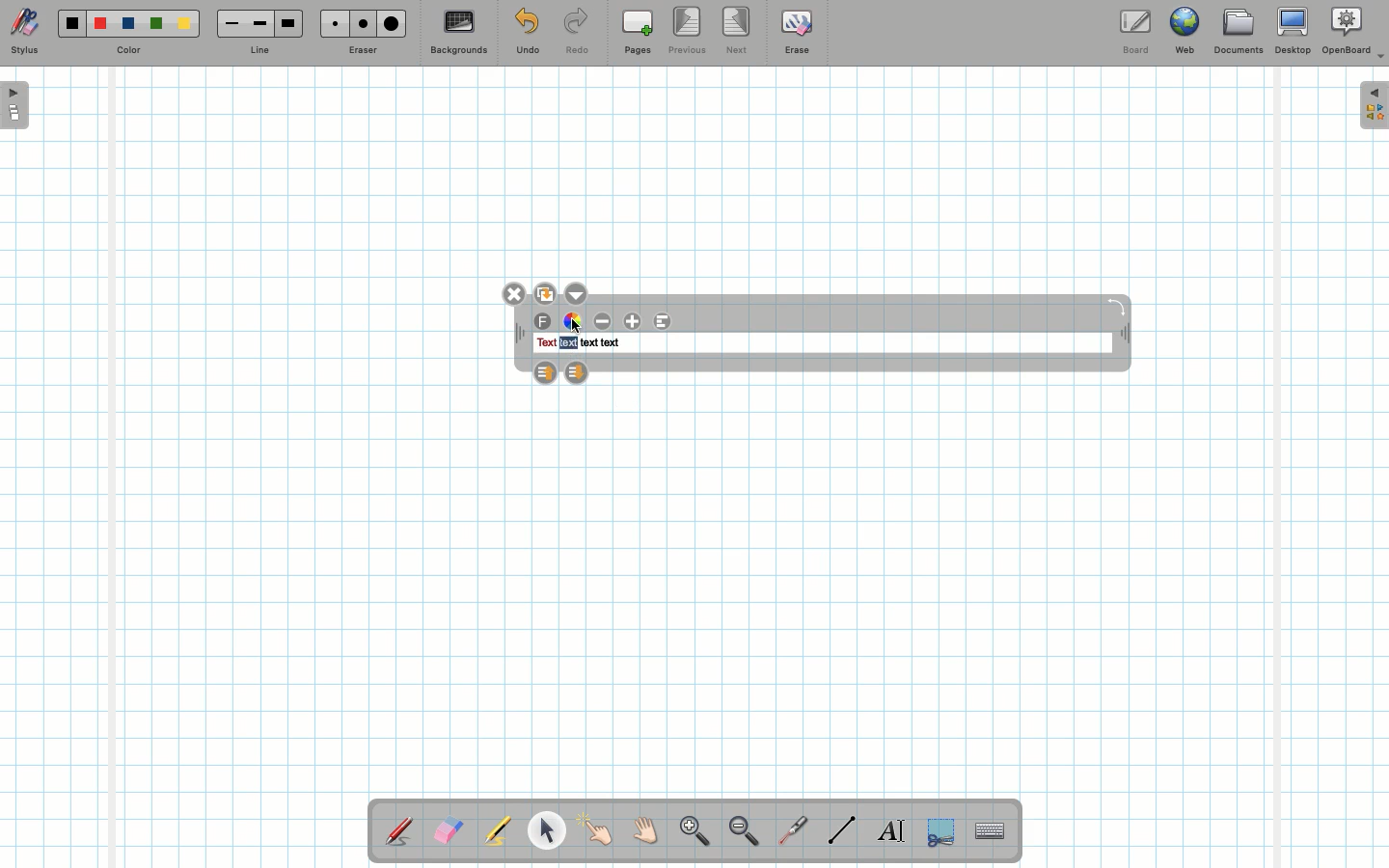  I want to click on text, so click(567, 343).